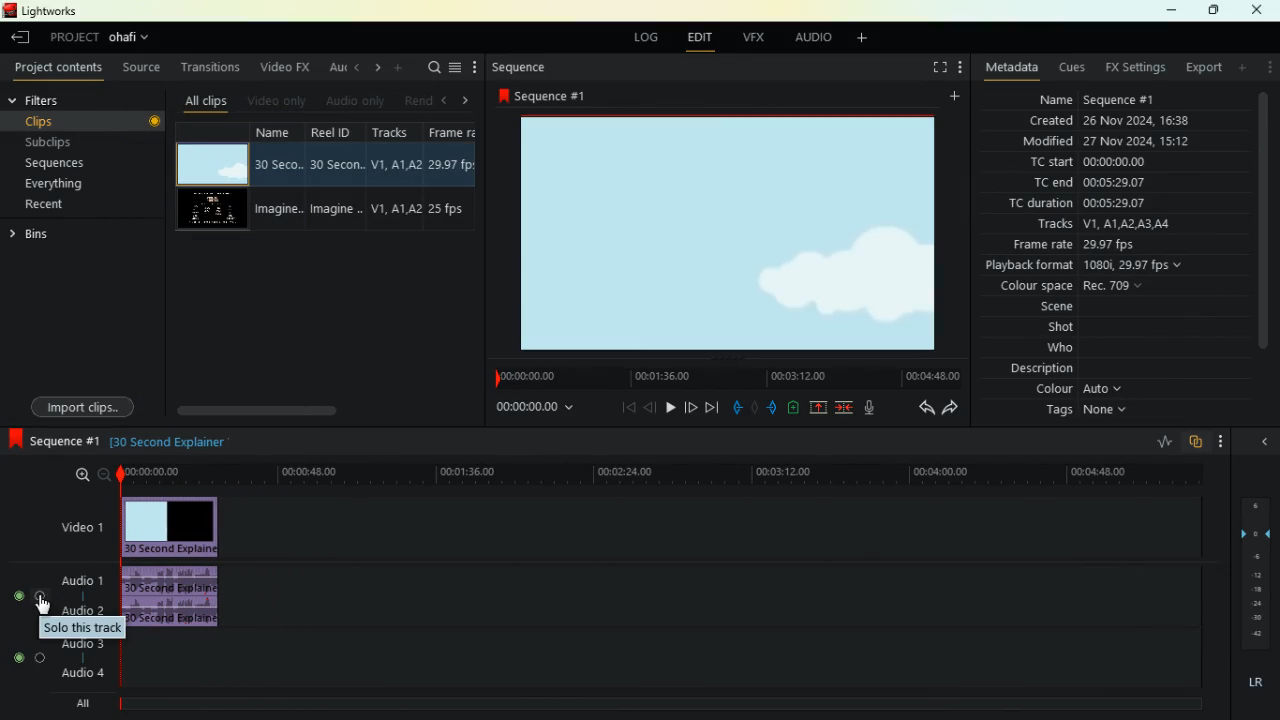 This screenshot has width=1280, height=720. Describe the element at coordinates (820, 409) in the screenshot. I see `up` at that location.